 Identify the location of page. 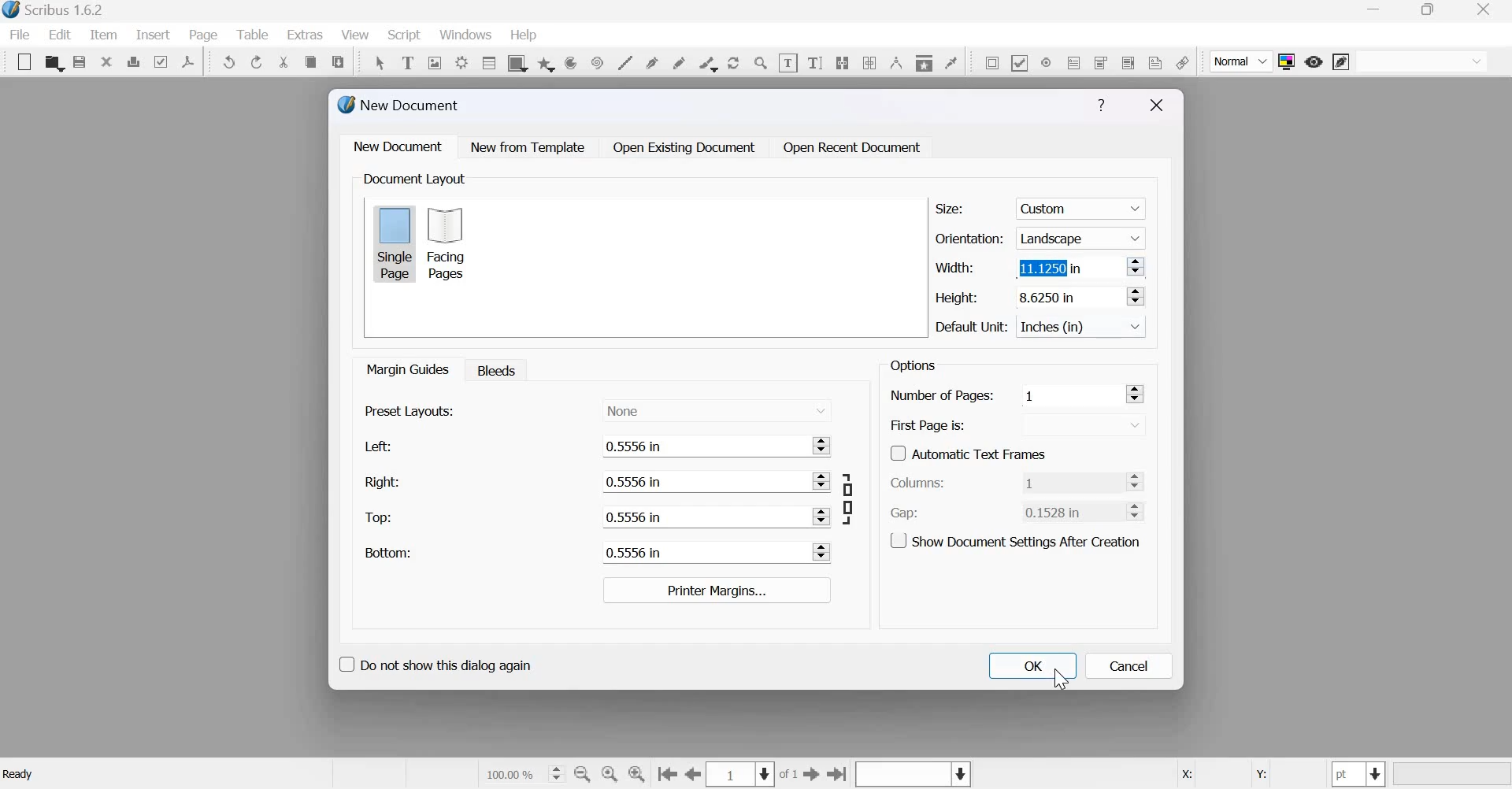
(204, 35).